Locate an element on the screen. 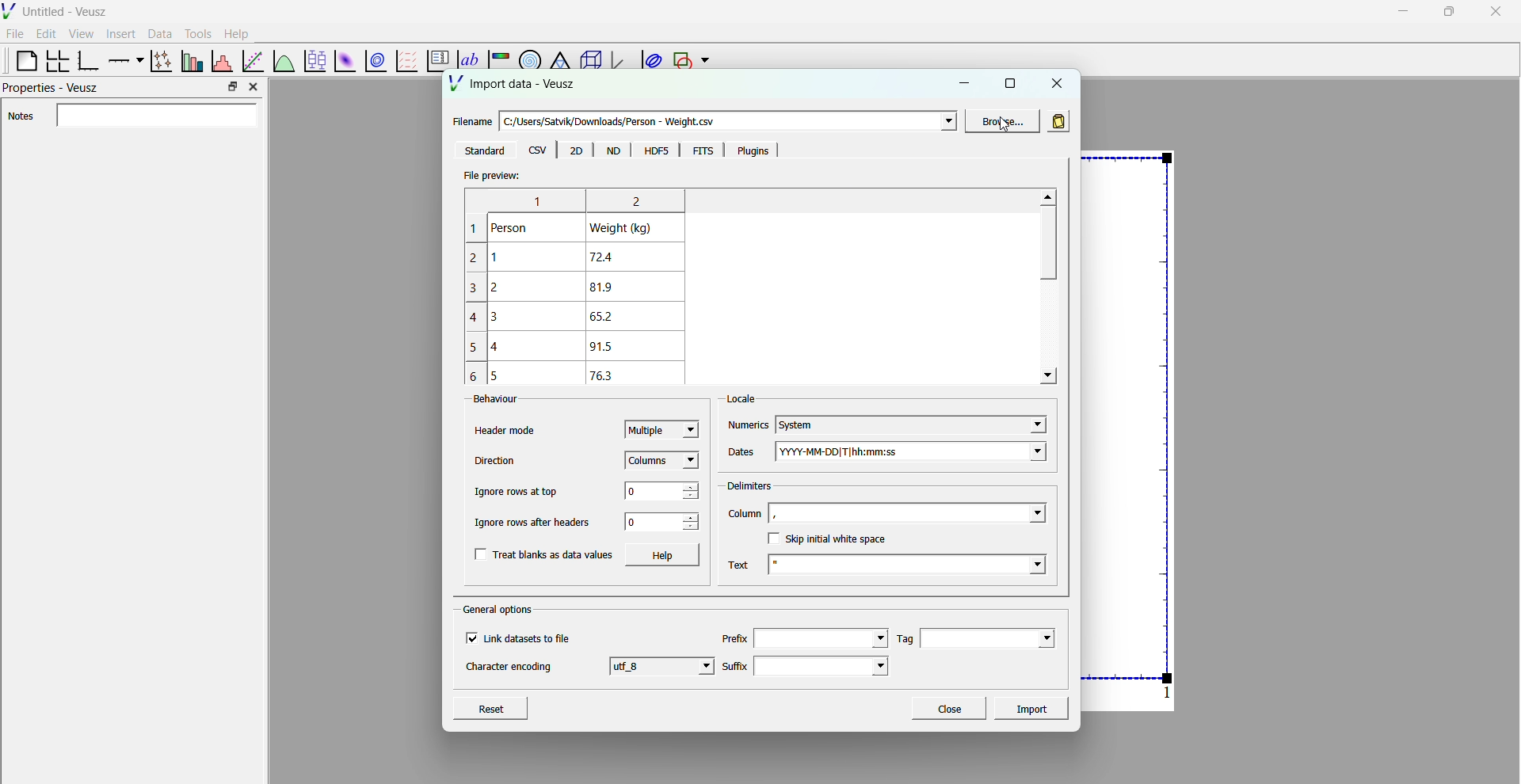  Ignore rows after headers is located at coordinates (537, 521).